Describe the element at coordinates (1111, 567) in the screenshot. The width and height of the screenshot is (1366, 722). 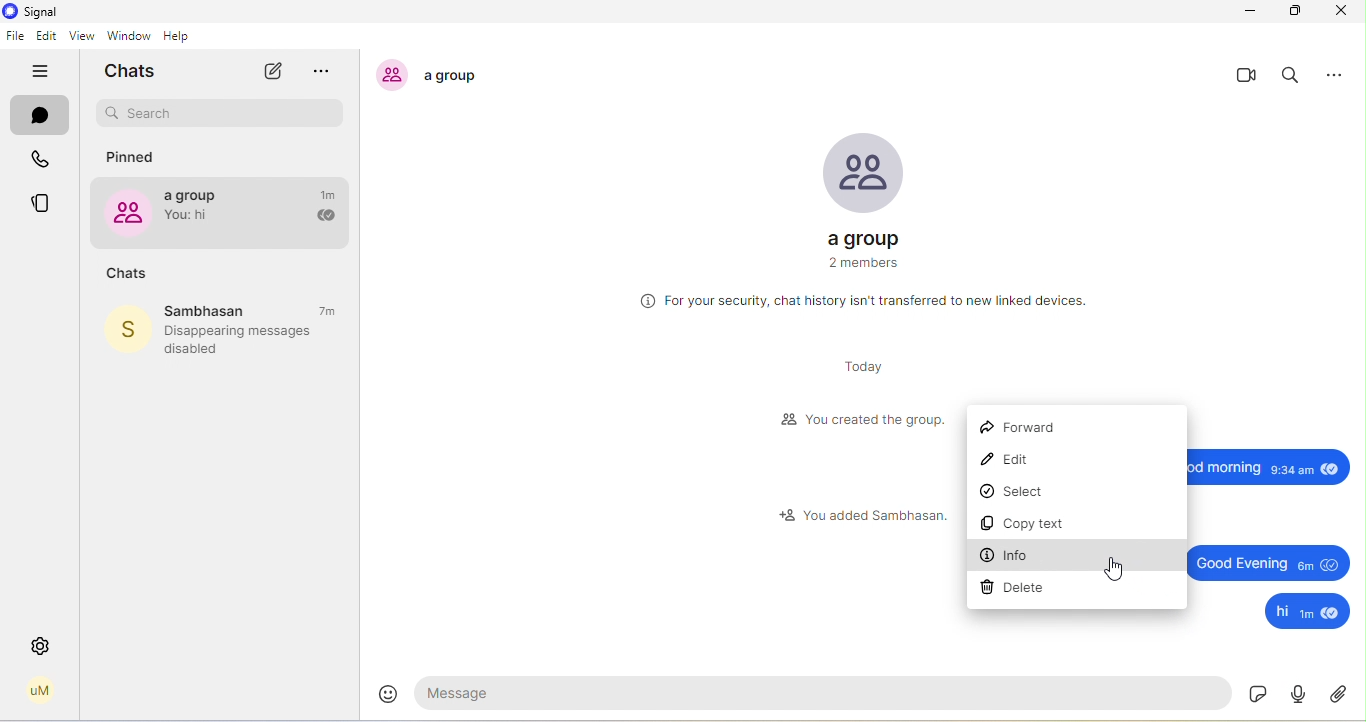
I see `cursor movement` at that location.